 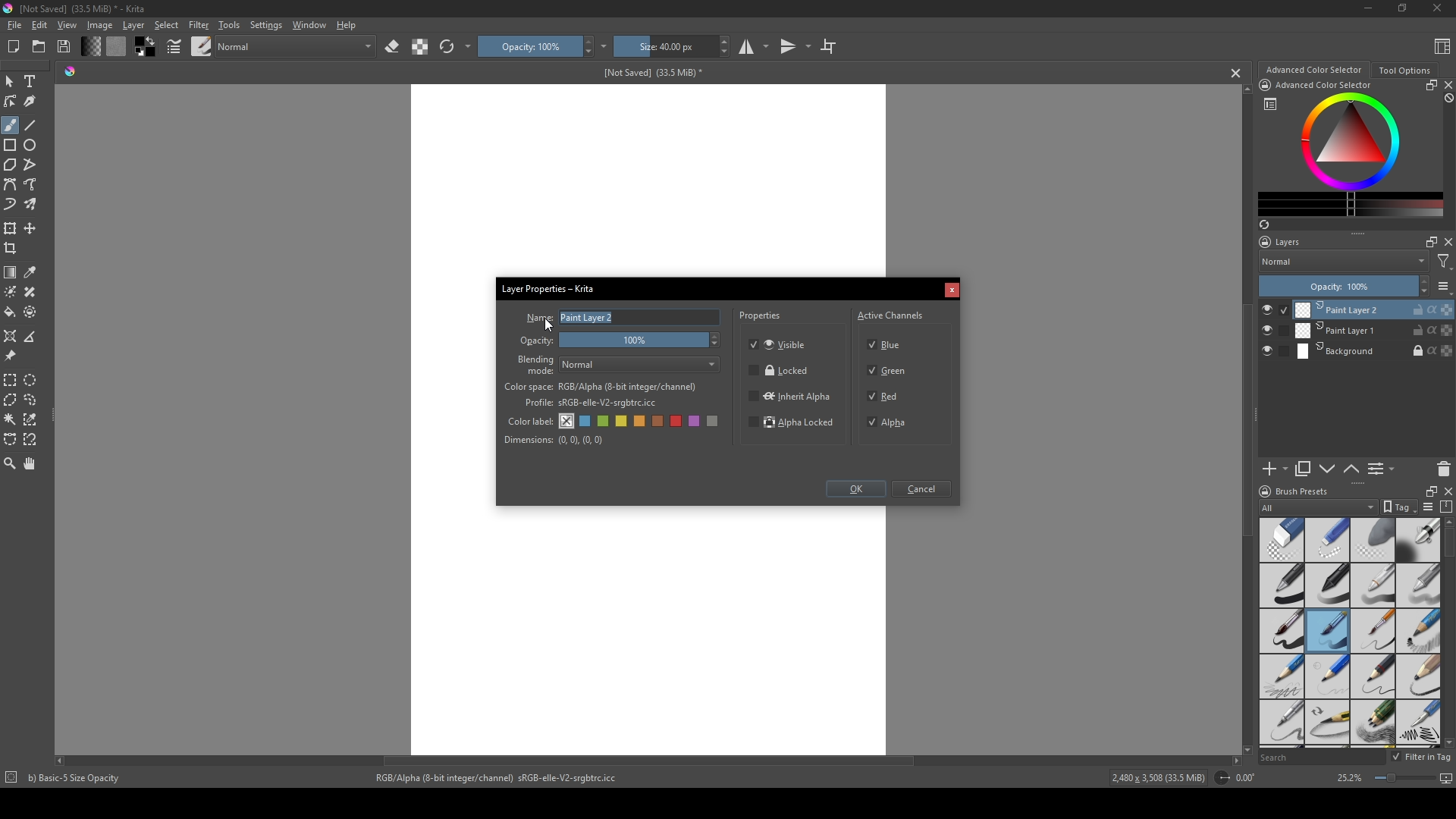 I want to click on crop, so click(x=14, y=248).